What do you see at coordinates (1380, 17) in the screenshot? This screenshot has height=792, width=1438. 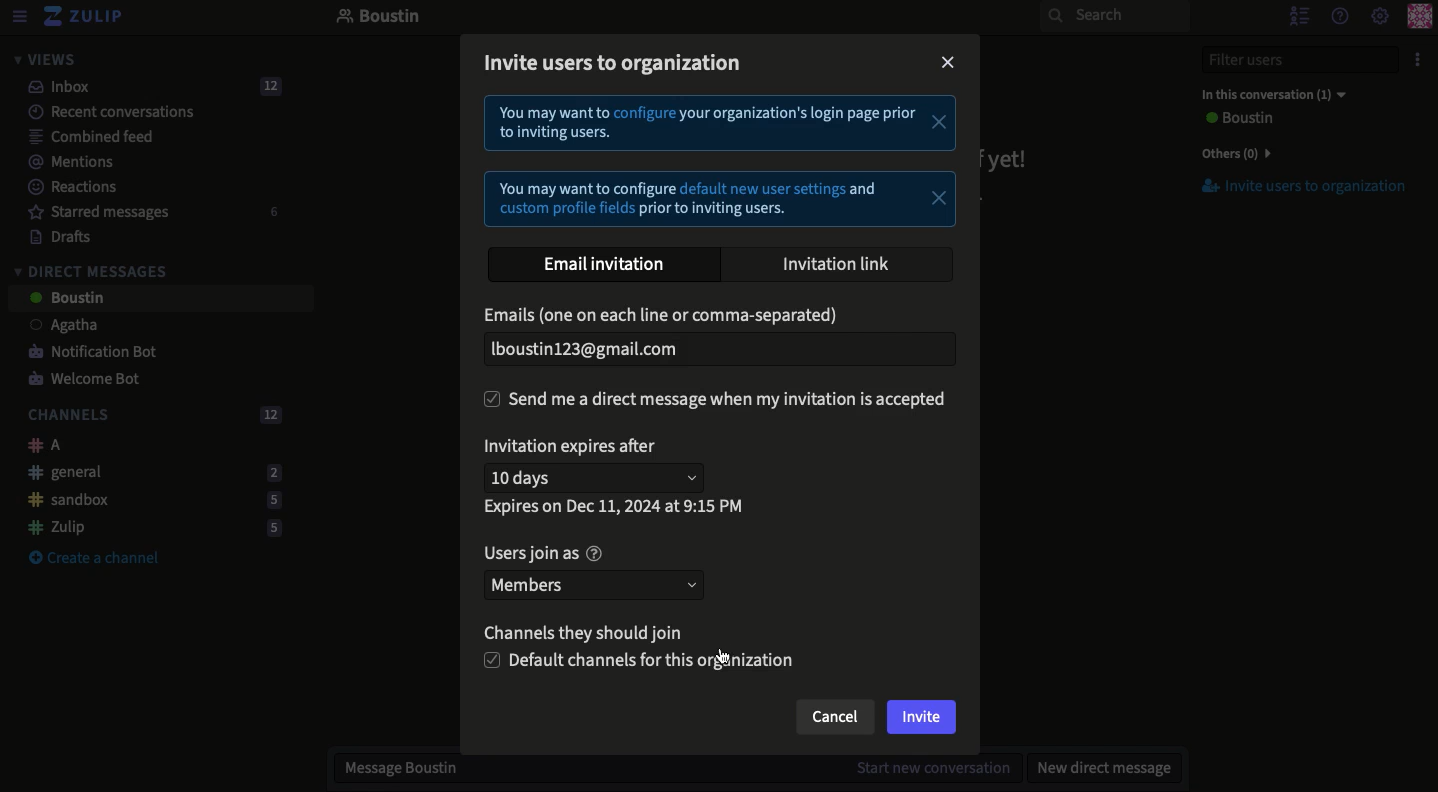 I see `Settings` at bounding box center [1380, 17].